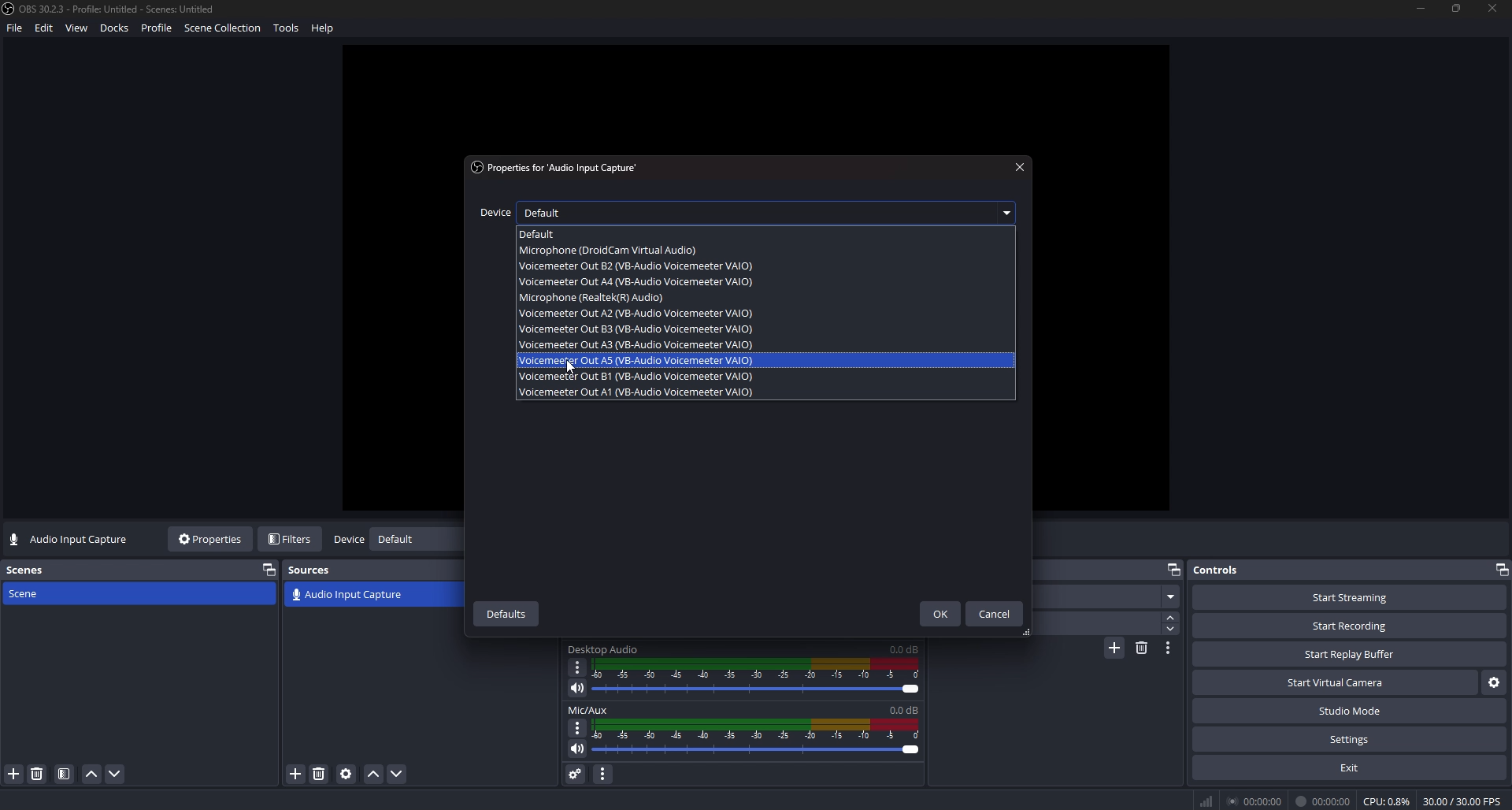  Describe the element at coordinates (507, 613) in the screenshot. I see `defaults` at that location.